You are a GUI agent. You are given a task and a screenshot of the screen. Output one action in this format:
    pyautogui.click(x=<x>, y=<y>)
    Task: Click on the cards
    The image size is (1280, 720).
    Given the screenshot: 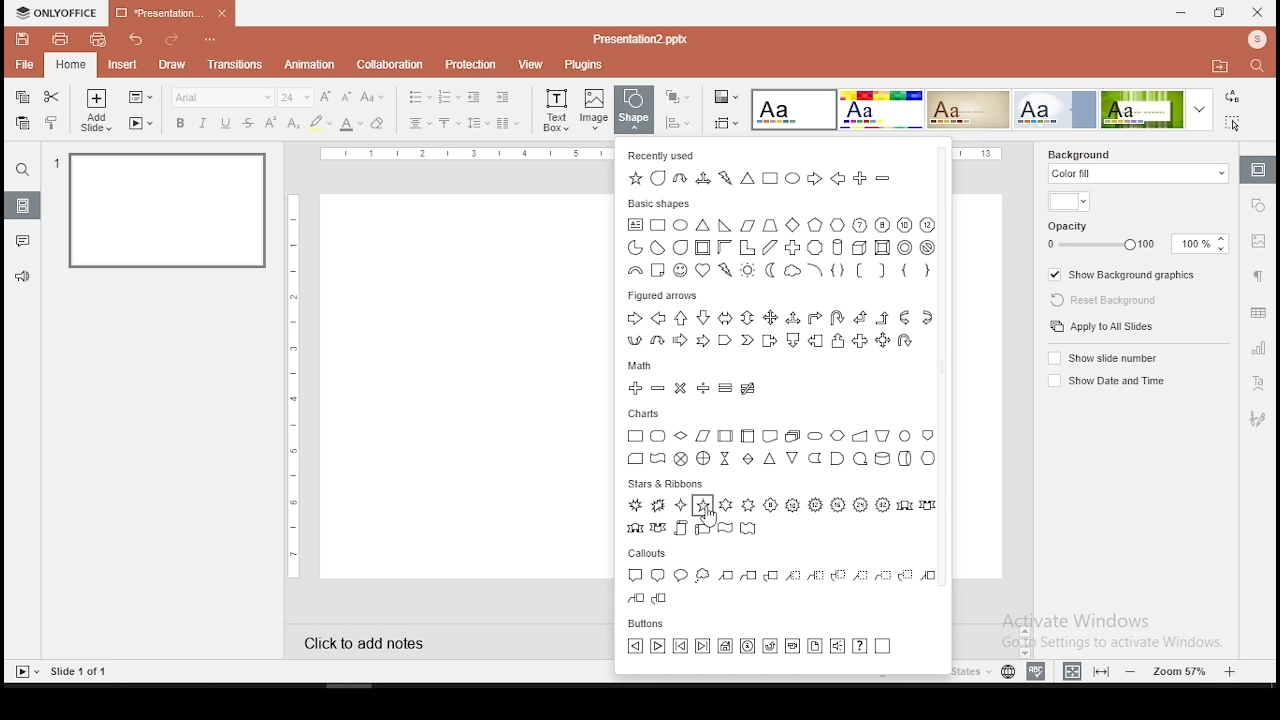 What is the action you would take?
    pyautogui.click(x=782, y=446)
    